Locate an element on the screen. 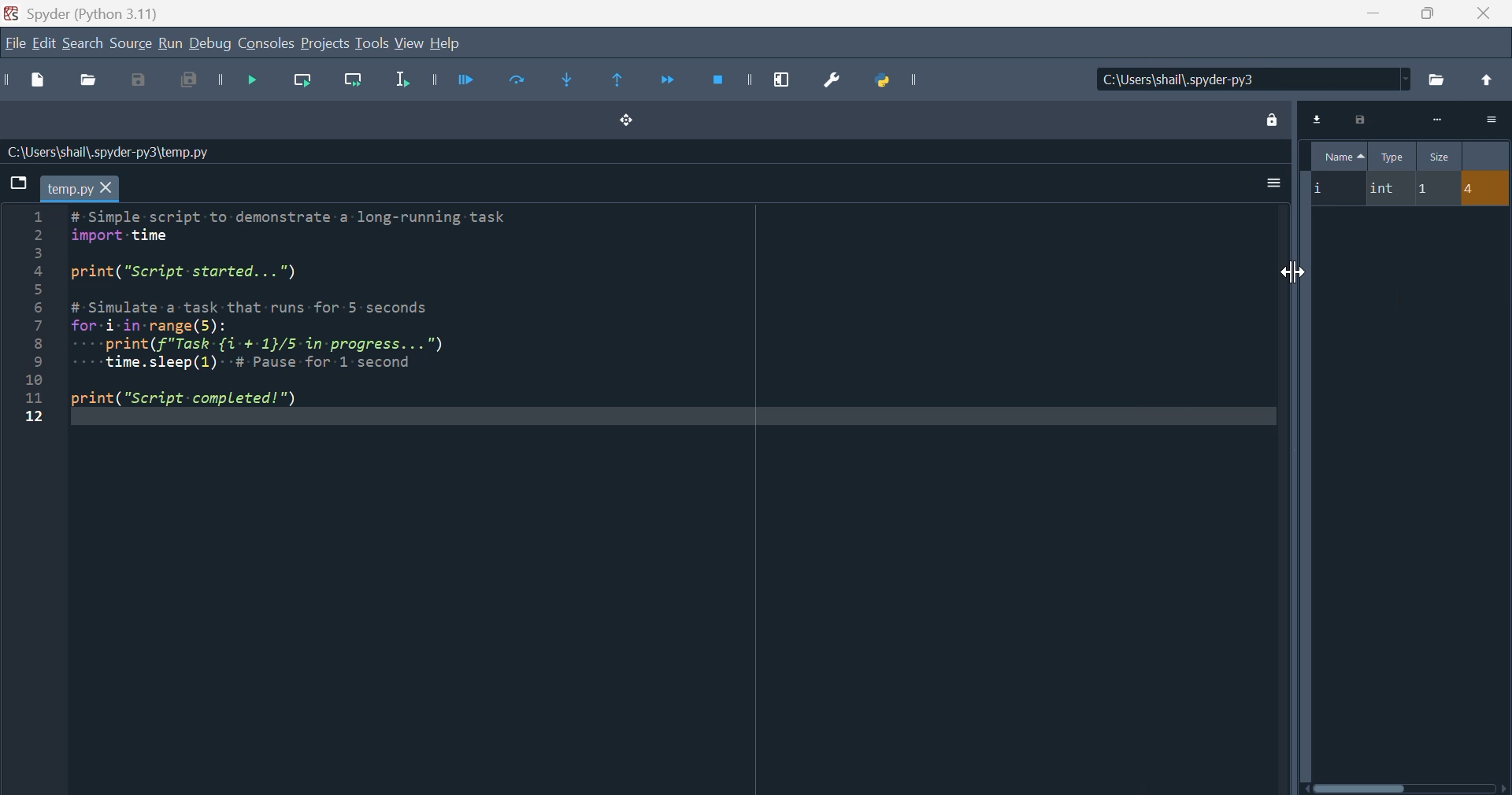  Maximise is located at coordinates (1424, 13).